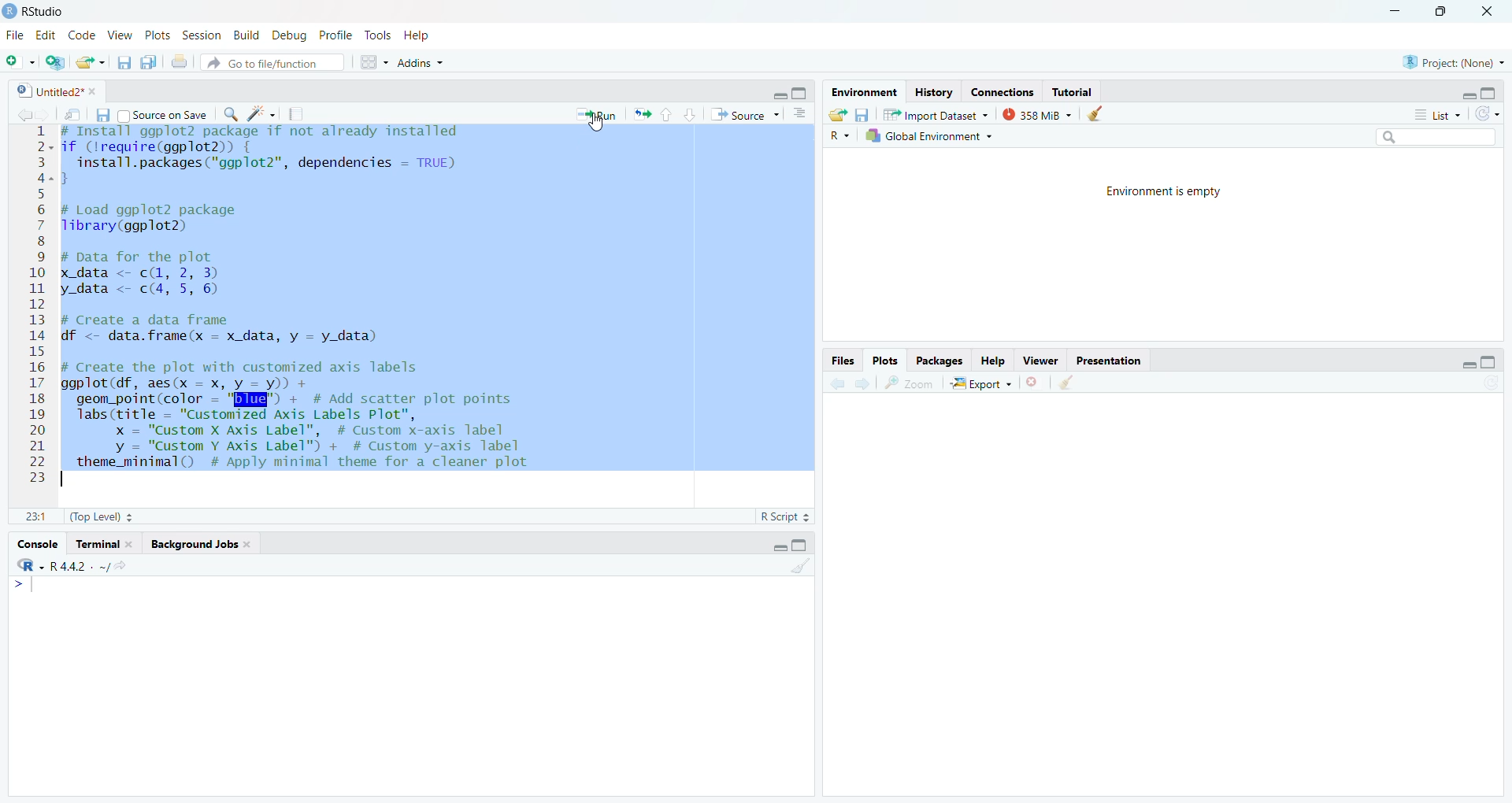 The width and height of the screenshot is (1512, 803). What do you see at coordinates (248, 35) in the screenshot?
I see `Build` at bounding box center [248, 35].